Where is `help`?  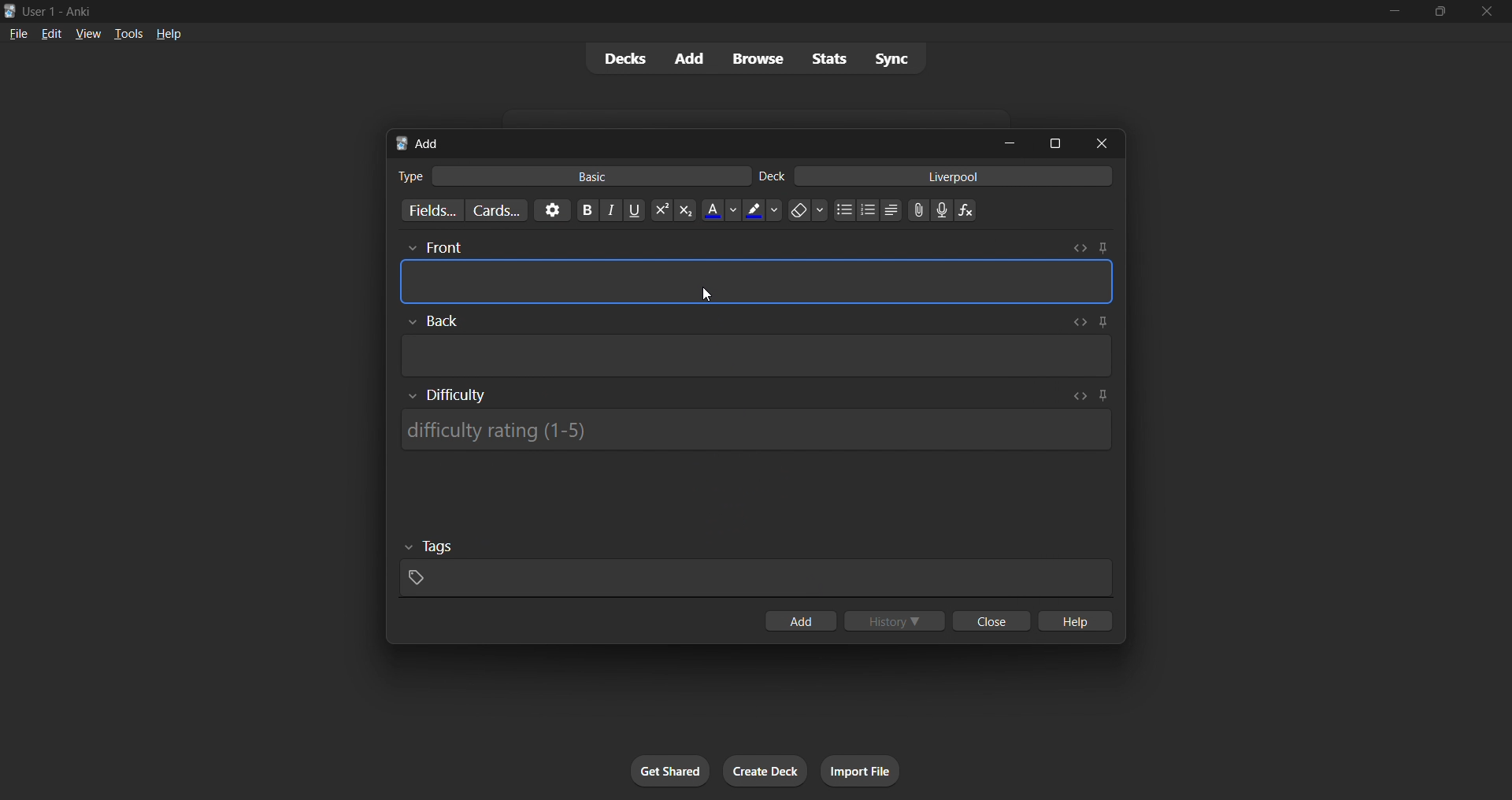 help is located at coordinates (169, 34).